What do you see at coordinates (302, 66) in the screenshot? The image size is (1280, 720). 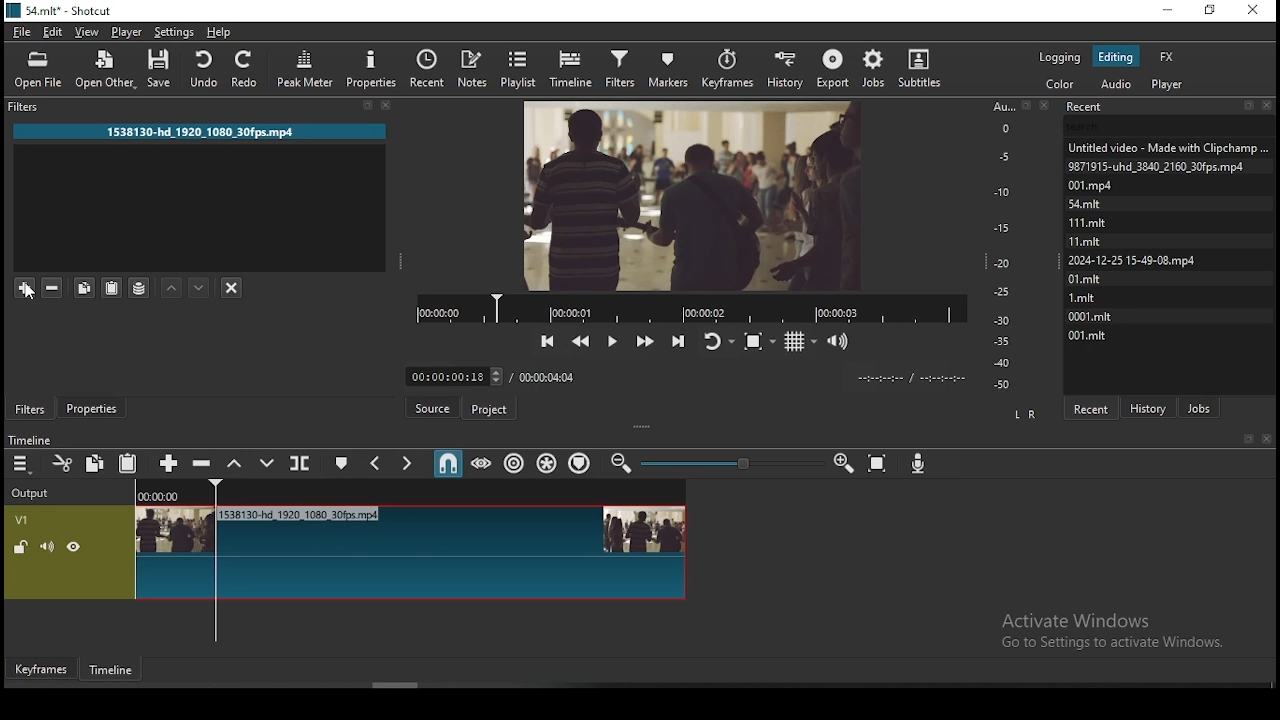 I see `peak meter` at bounding box center [302, 66].